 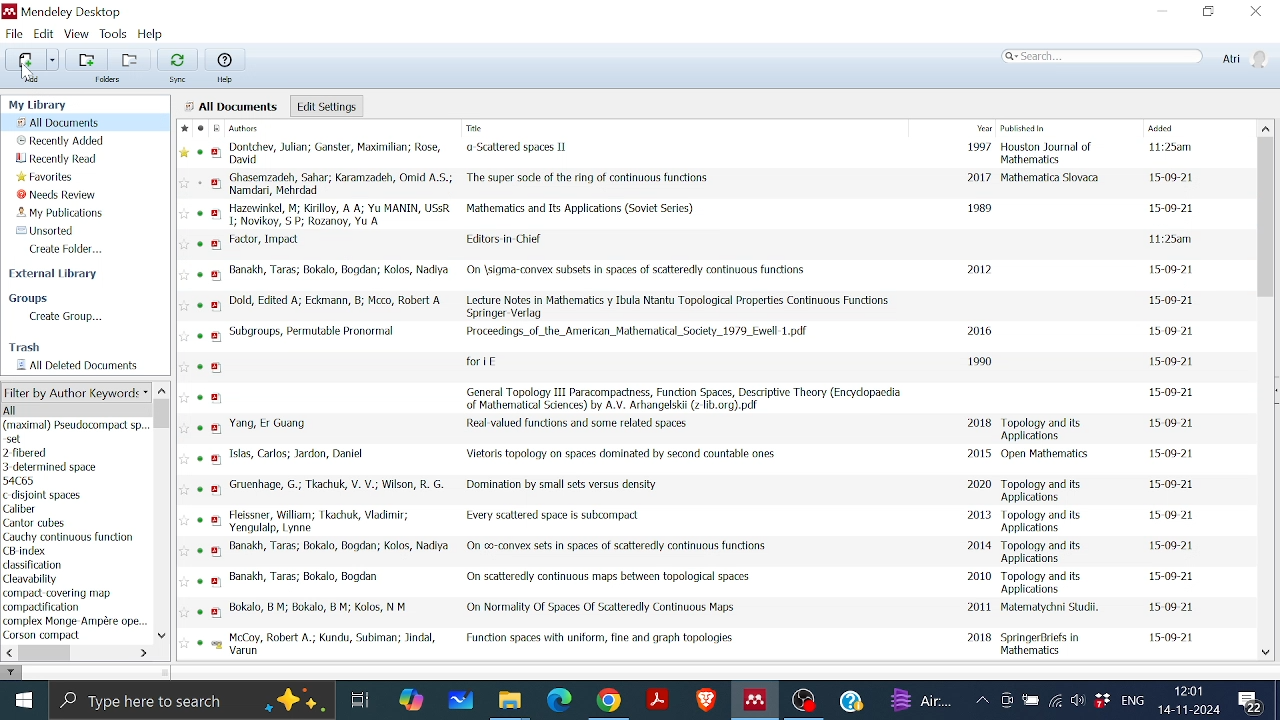 What do you see at coordinates (216, 215) in the screenshot?
I see `pdf` at bounding box center [216, 215].